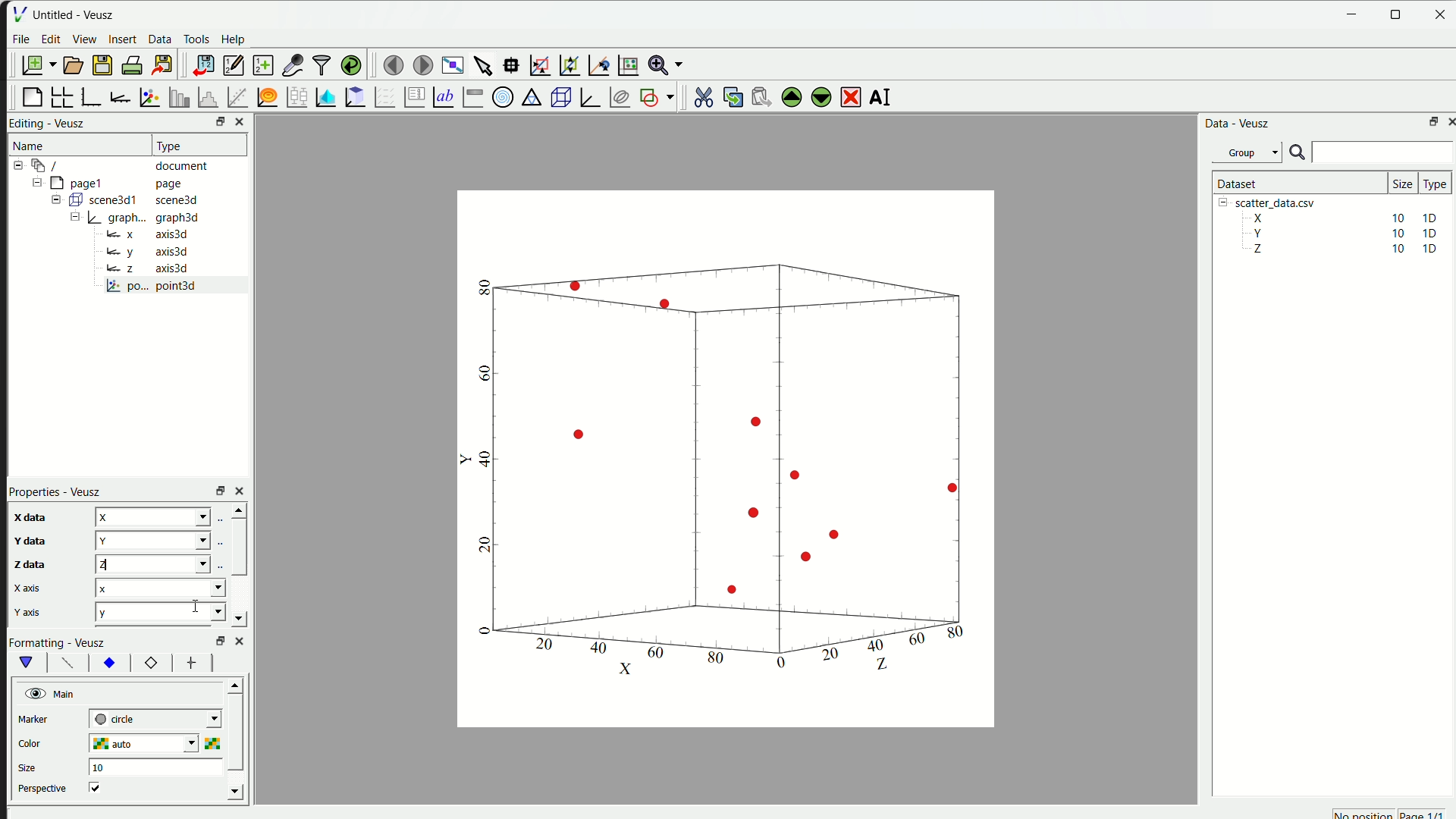 The height and width of the screenshot is (819, 1456). Describe the element at coordinates (109, 165) in the screenshot. I see `12-9 / document` at that location.